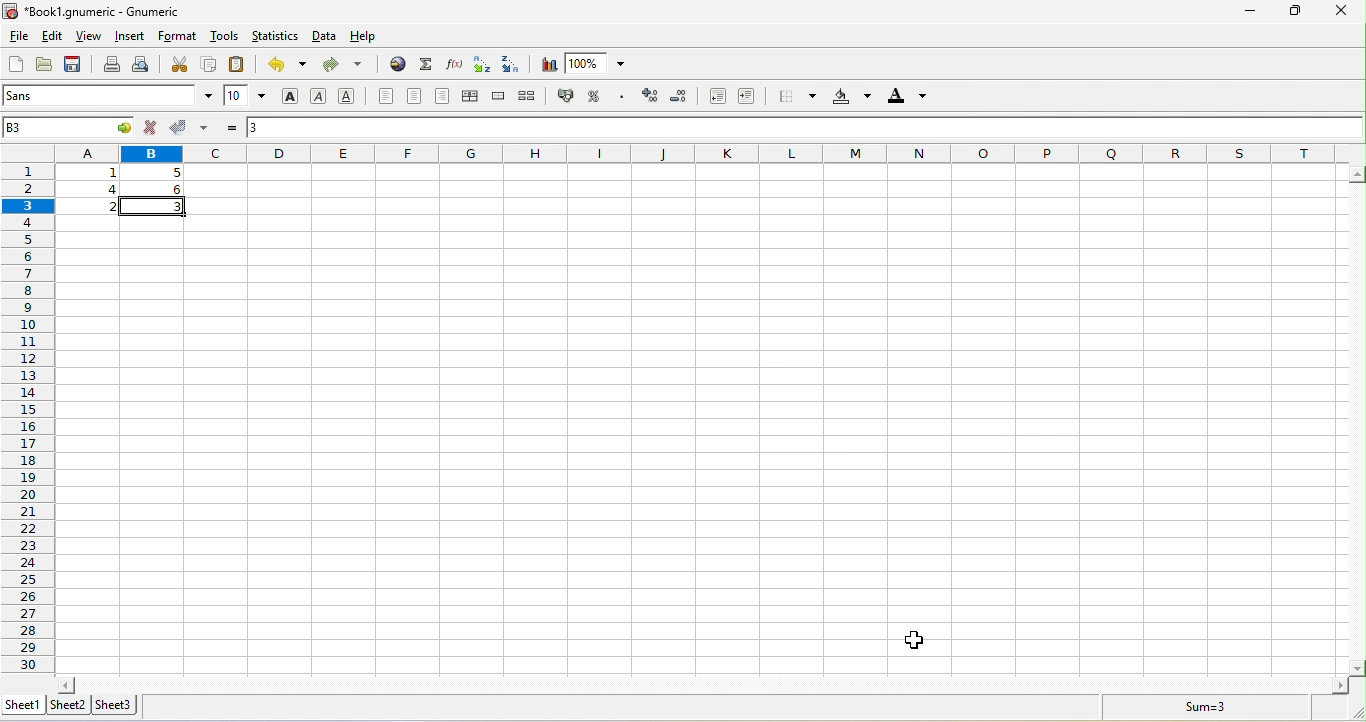  I want to click on view, so click(89, 37).